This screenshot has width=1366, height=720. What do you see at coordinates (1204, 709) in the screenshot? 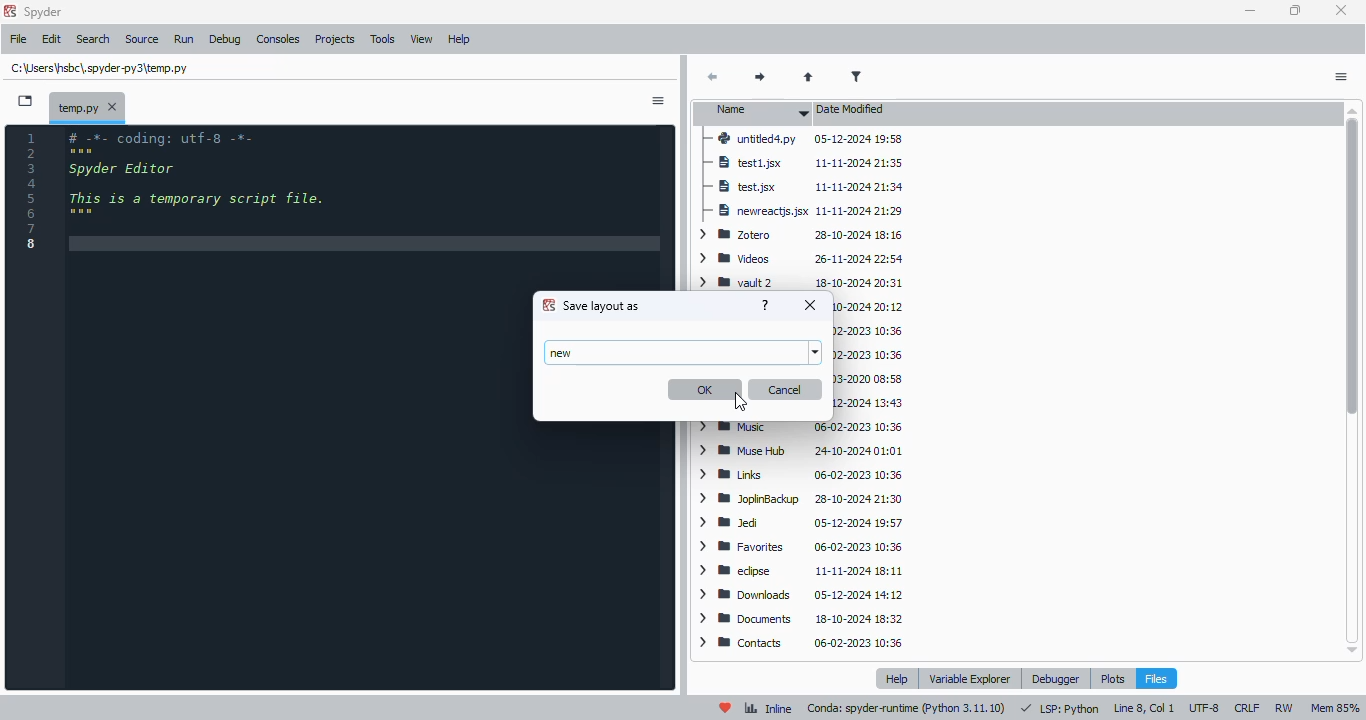
I see `UTF-8` at bounding box center [1204, 709].